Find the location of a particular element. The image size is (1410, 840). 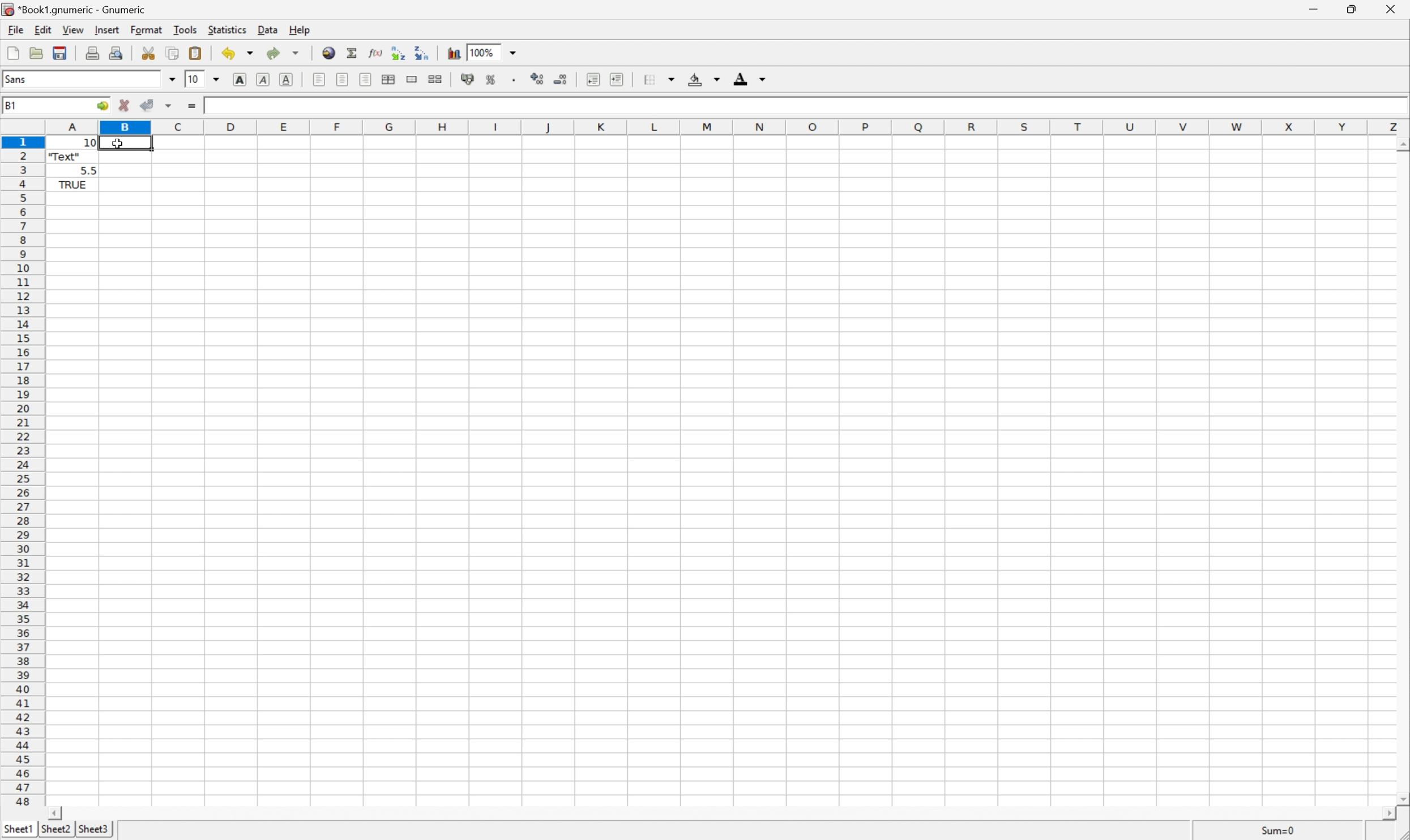

Statistics is located at coordinates (227, 29).